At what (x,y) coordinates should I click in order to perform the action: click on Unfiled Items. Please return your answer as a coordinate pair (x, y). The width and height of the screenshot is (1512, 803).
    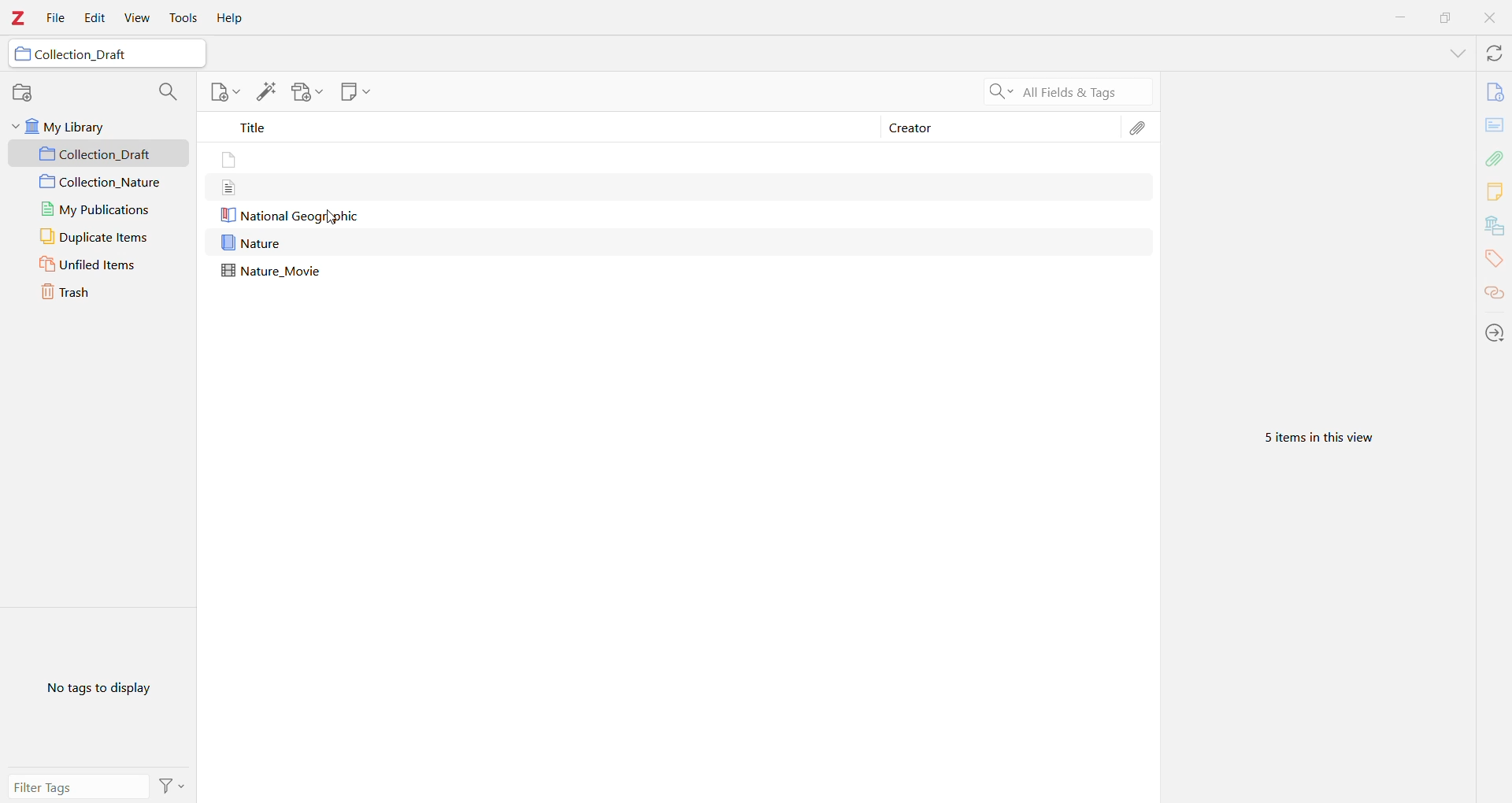
    Looking at the image, I should click on (100, 265).